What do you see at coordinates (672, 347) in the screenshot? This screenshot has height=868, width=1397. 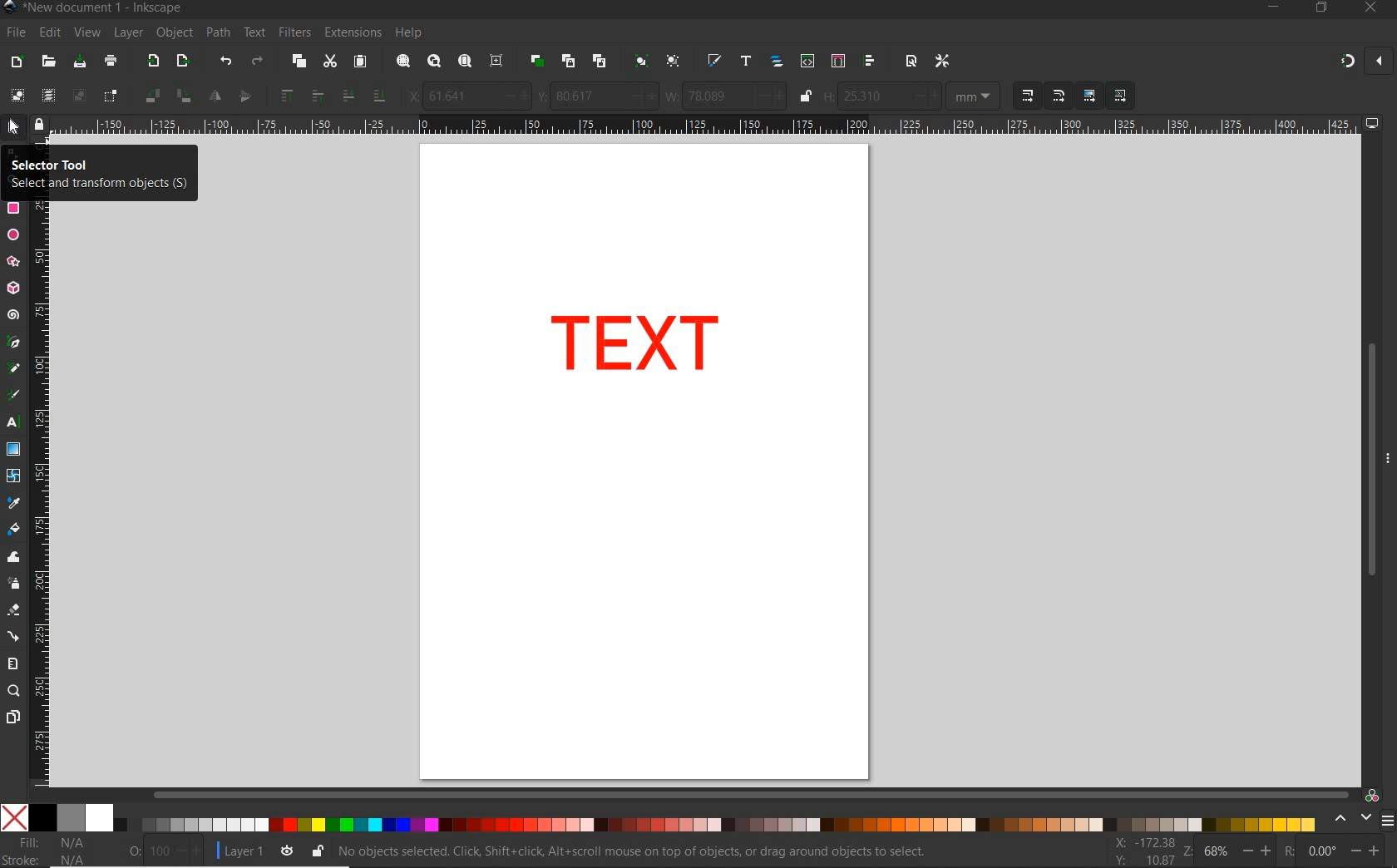 I see `text` at bounding box center [672, 347].